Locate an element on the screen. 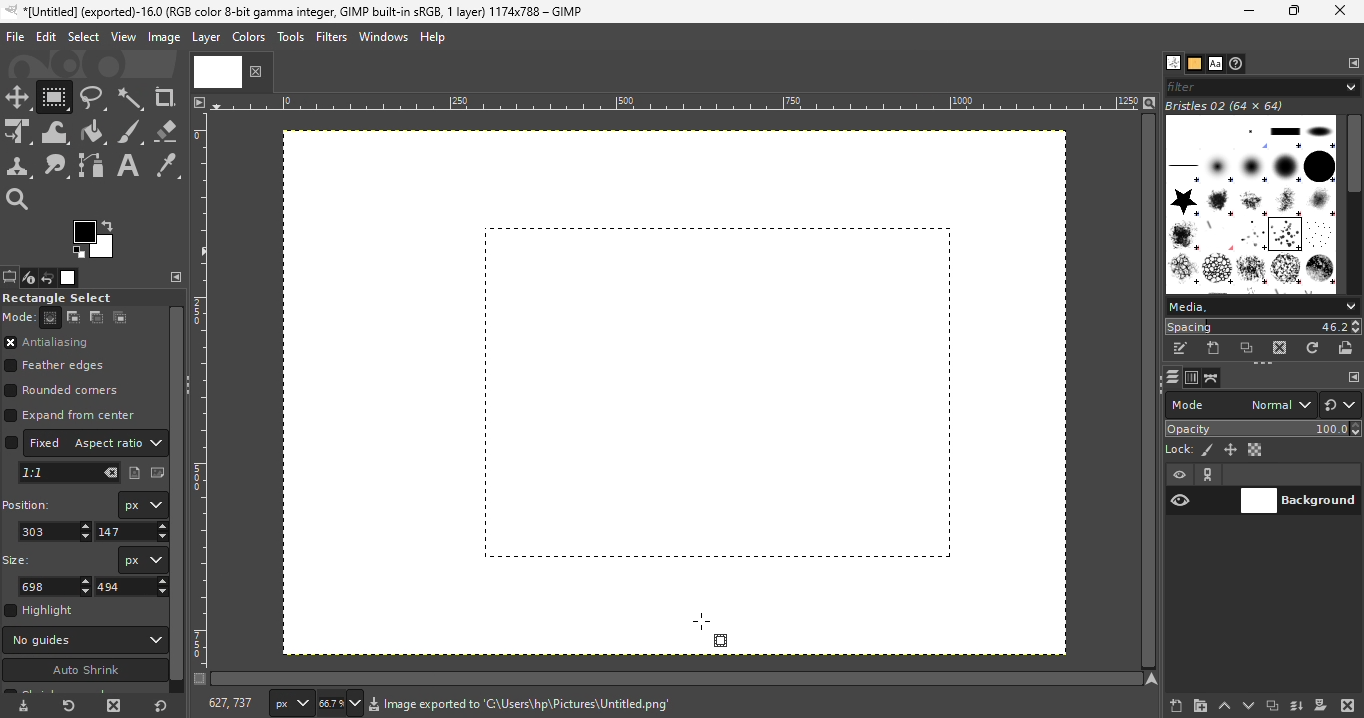 Image resolution: width=1364 pixels, height=718 pixels. Spacing      46.2 is located at coordinates (1263, 326).